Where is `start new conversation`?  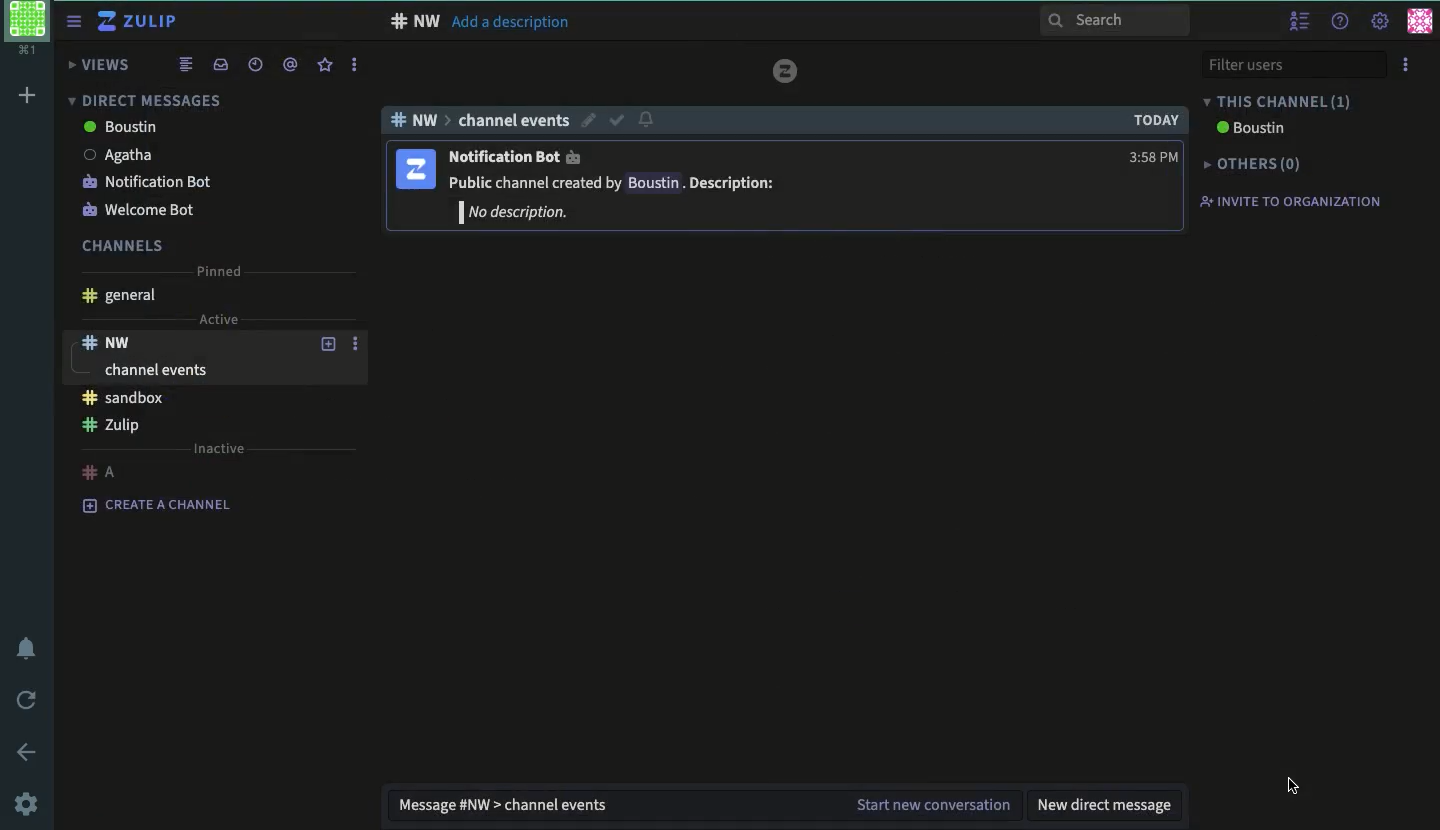 start new conversation is located at coordinates (937, 805).